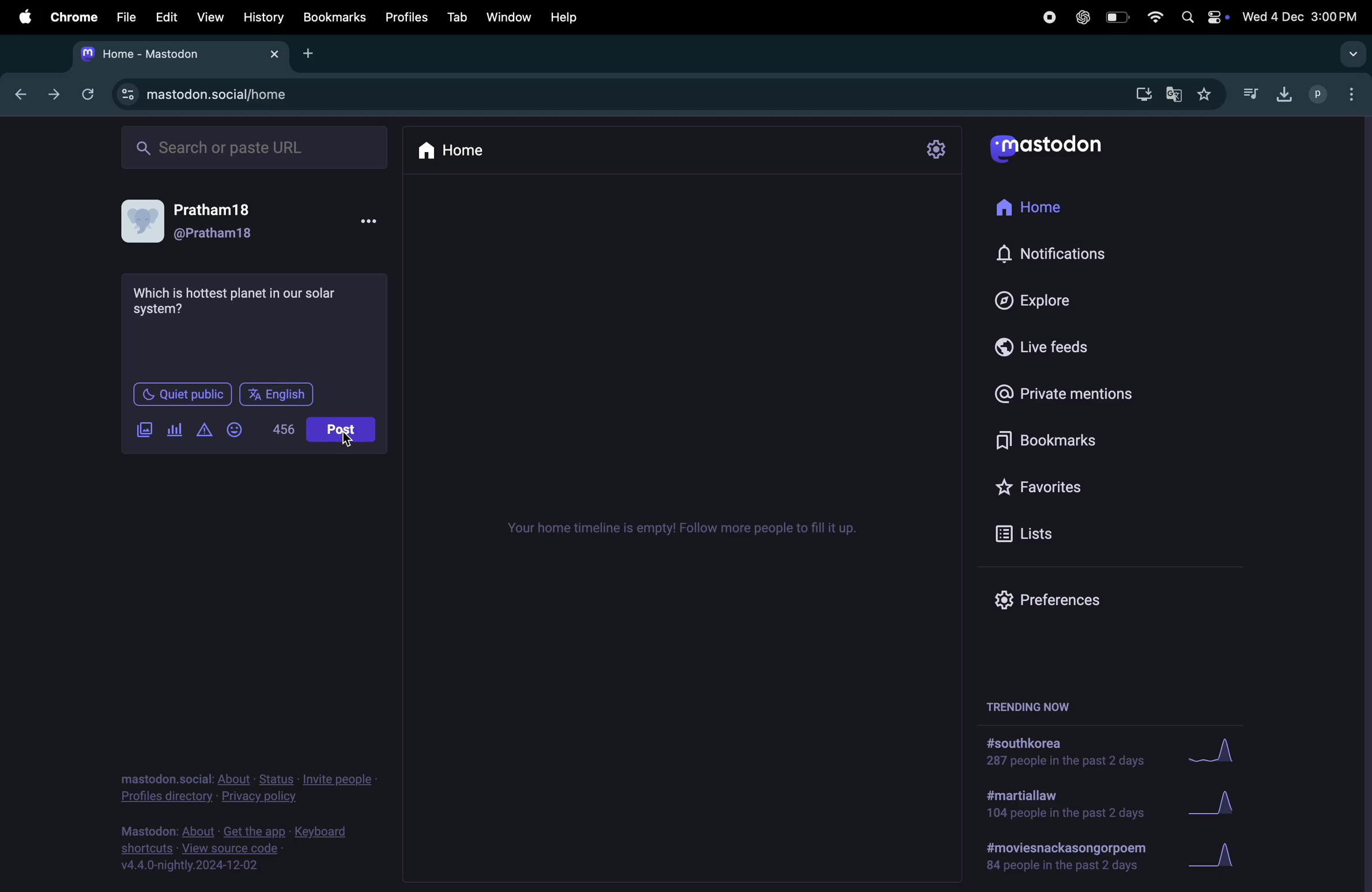  I want to click on backward, so click(17, 95).